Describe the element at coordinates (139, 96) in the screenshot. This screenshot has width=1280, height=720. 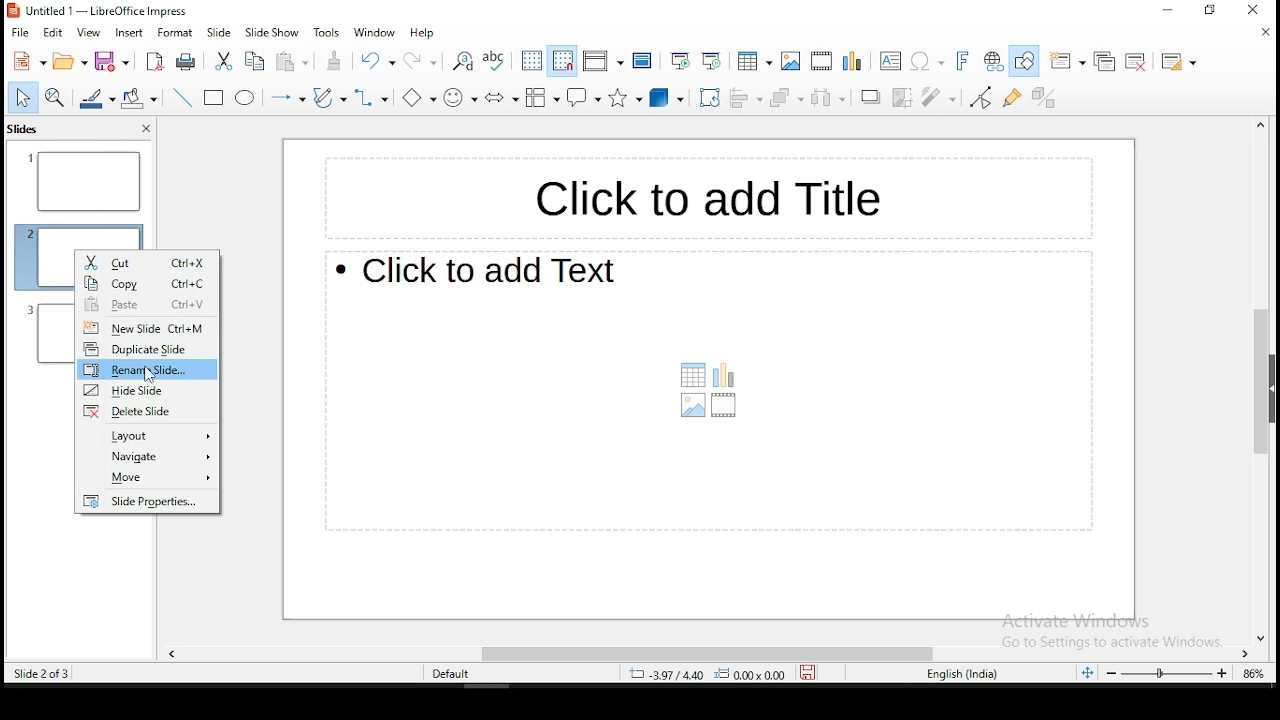
I see `paint bucket tool` at that location.